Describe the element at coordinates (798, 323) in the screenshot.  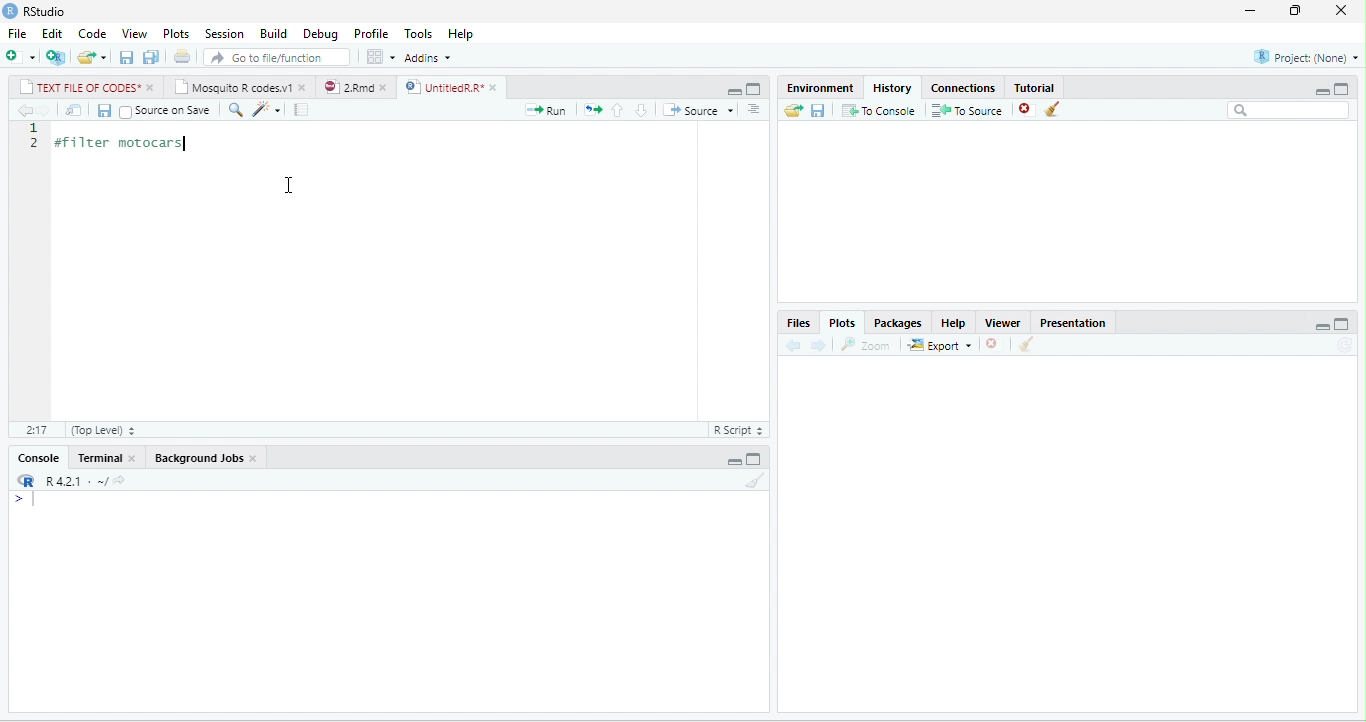
I see `Files` at that location.